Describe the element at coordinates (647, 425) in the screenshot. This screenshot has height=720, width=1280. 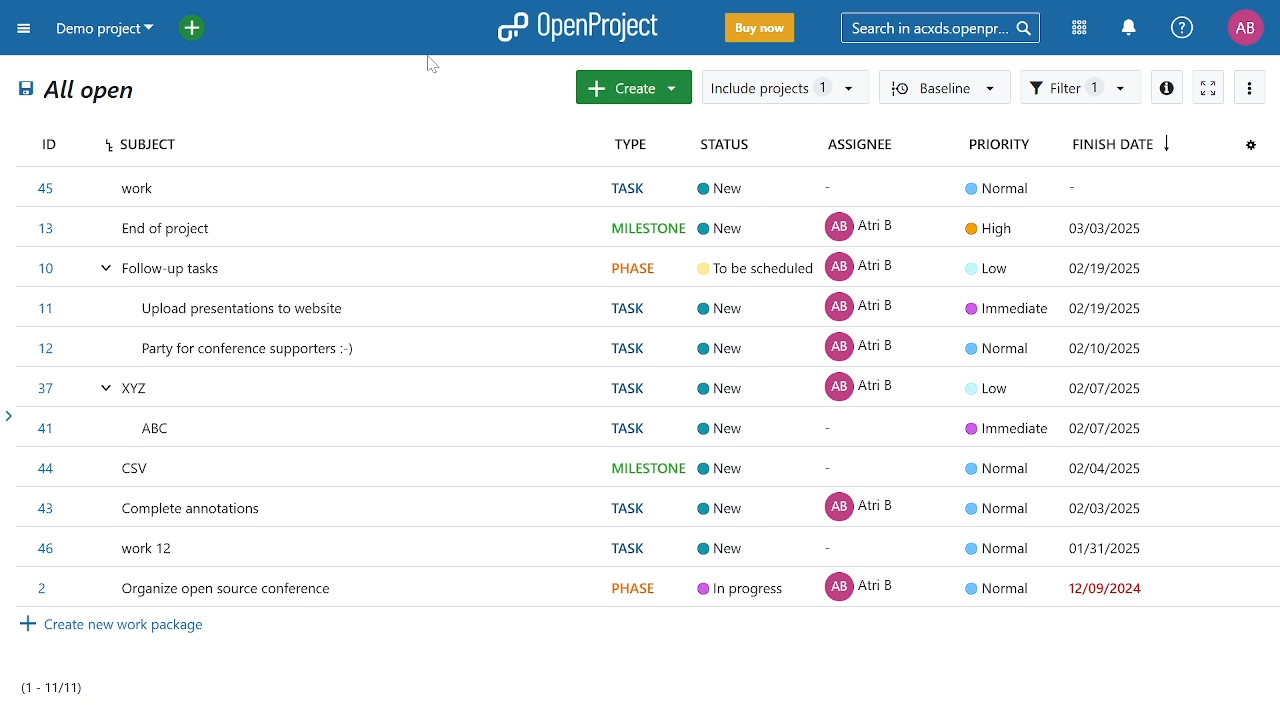
I see `task titled "ABC"` at that location.